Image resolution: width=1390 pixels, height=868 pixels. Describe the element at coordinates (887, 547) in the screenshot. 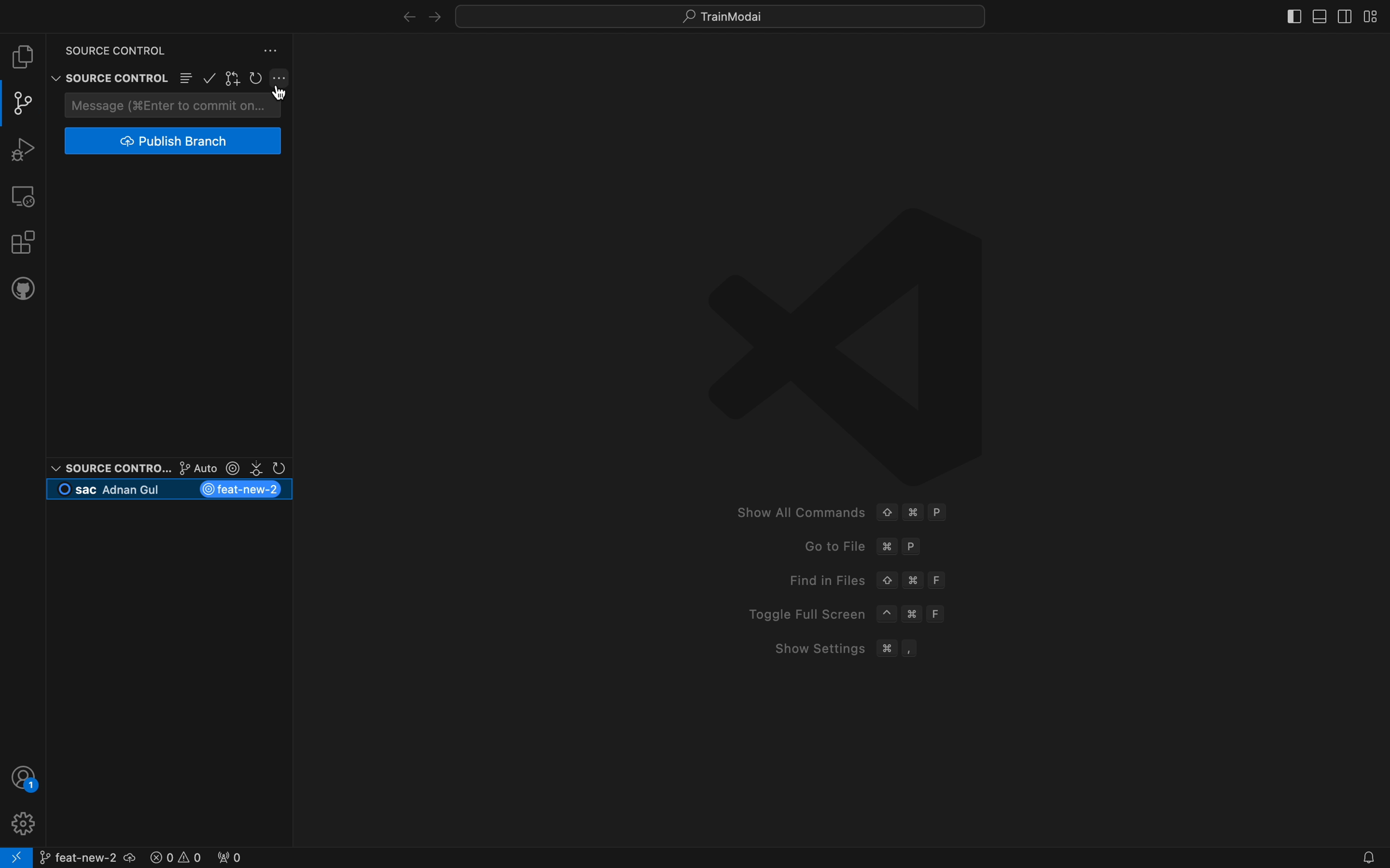

I see `command` at that location.